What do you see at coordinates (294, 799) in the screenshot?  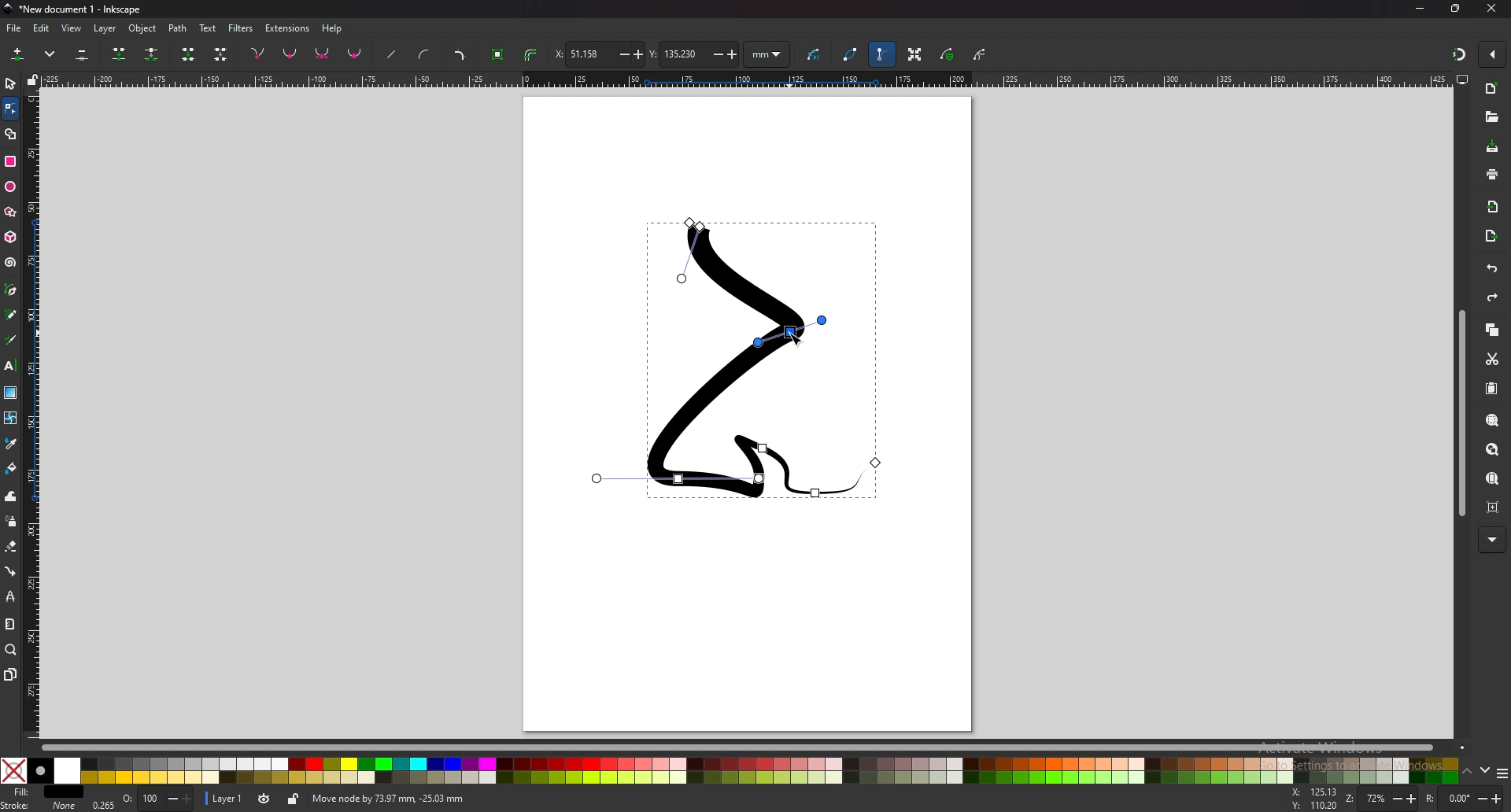 I see `lock` at bounding box center [294, 799].